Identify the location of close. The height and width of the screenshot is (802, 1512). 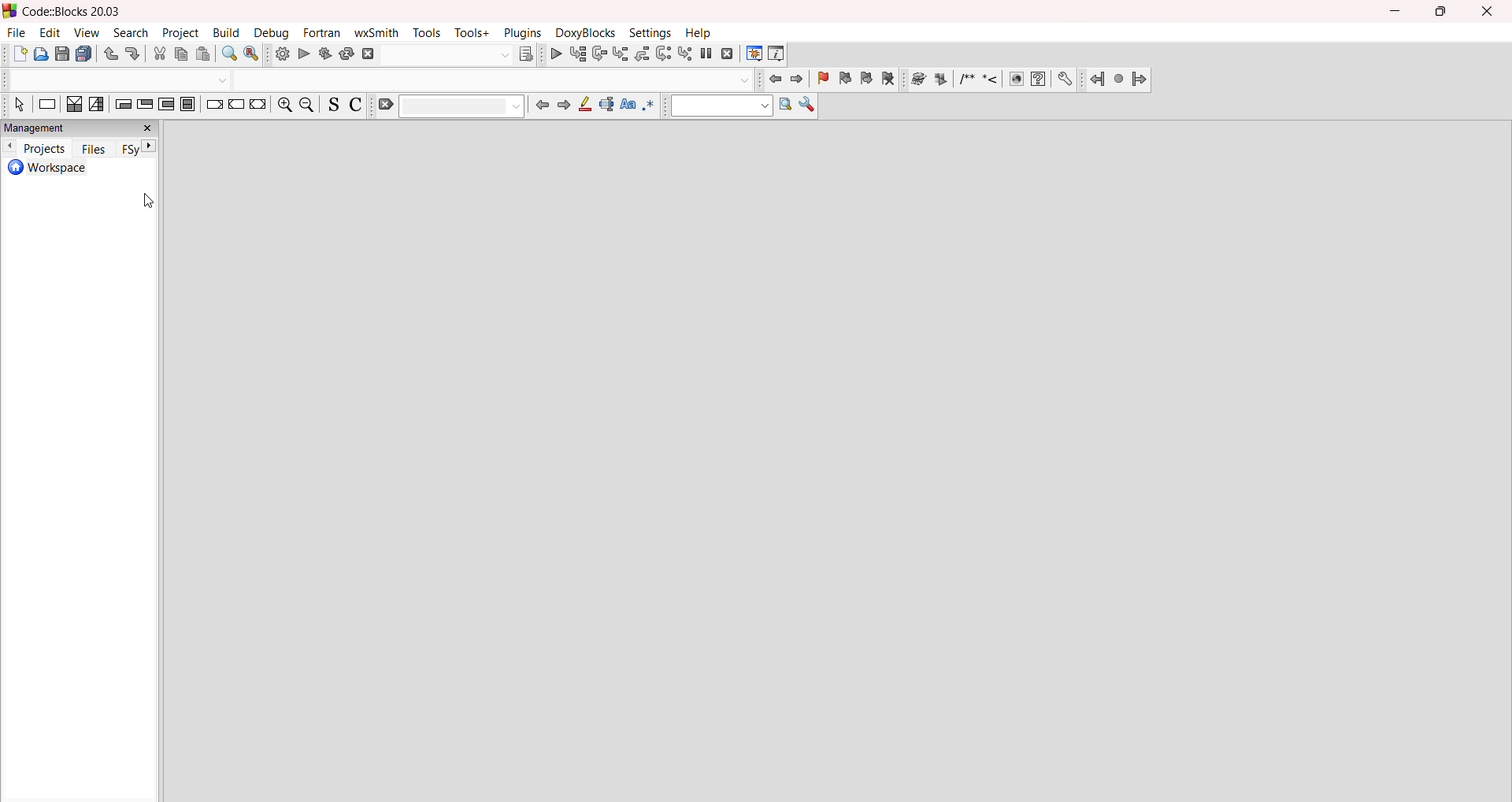
(1490, 12).